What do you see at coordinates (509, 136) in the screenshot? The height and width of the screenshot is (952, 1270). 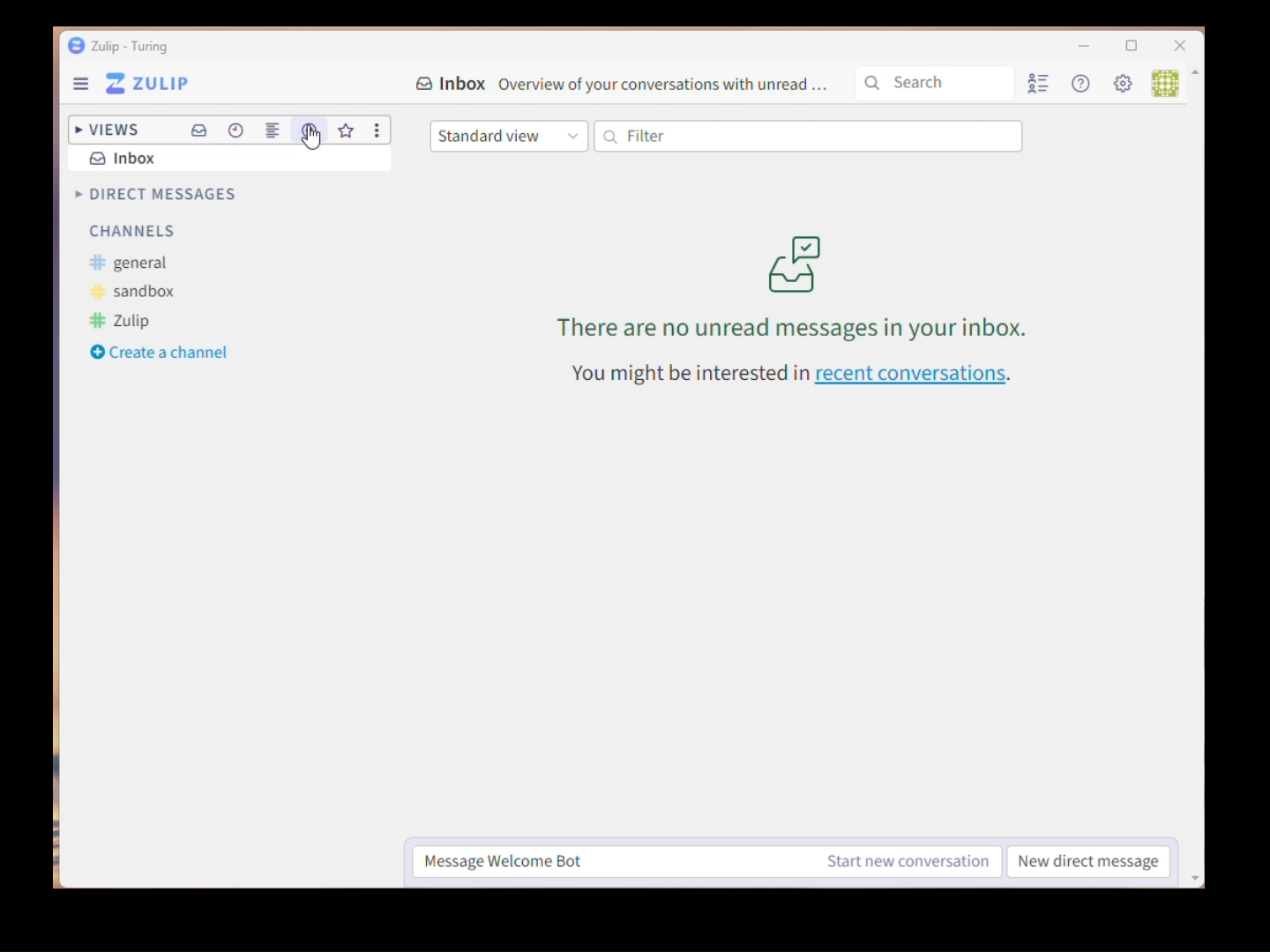 I see `Standar View` at bounding box center [509, 136].